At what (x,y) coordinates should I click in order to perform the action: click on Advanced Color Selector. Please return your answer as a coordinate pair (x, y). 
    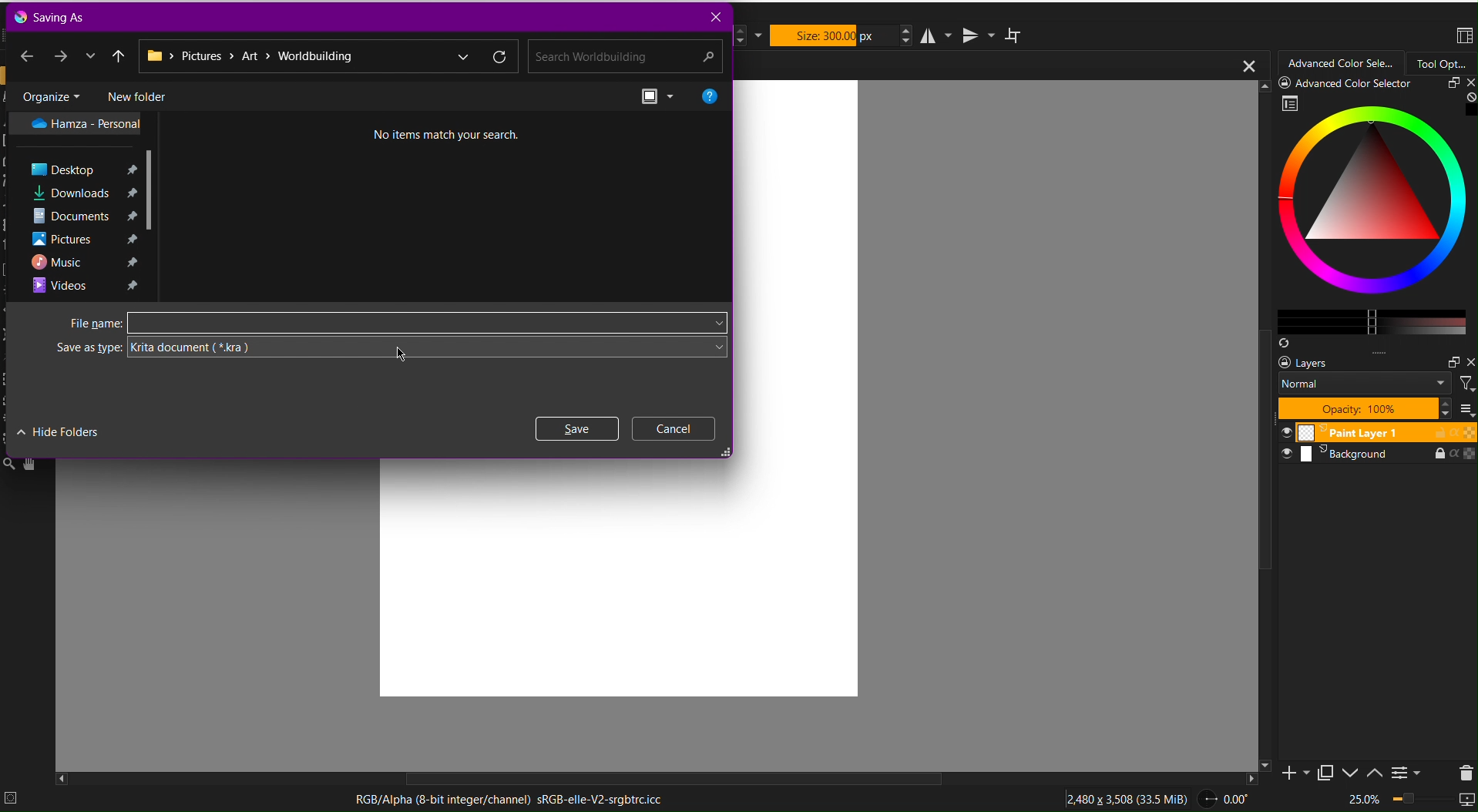
    Looking at the image, I should click on (1342, 64).